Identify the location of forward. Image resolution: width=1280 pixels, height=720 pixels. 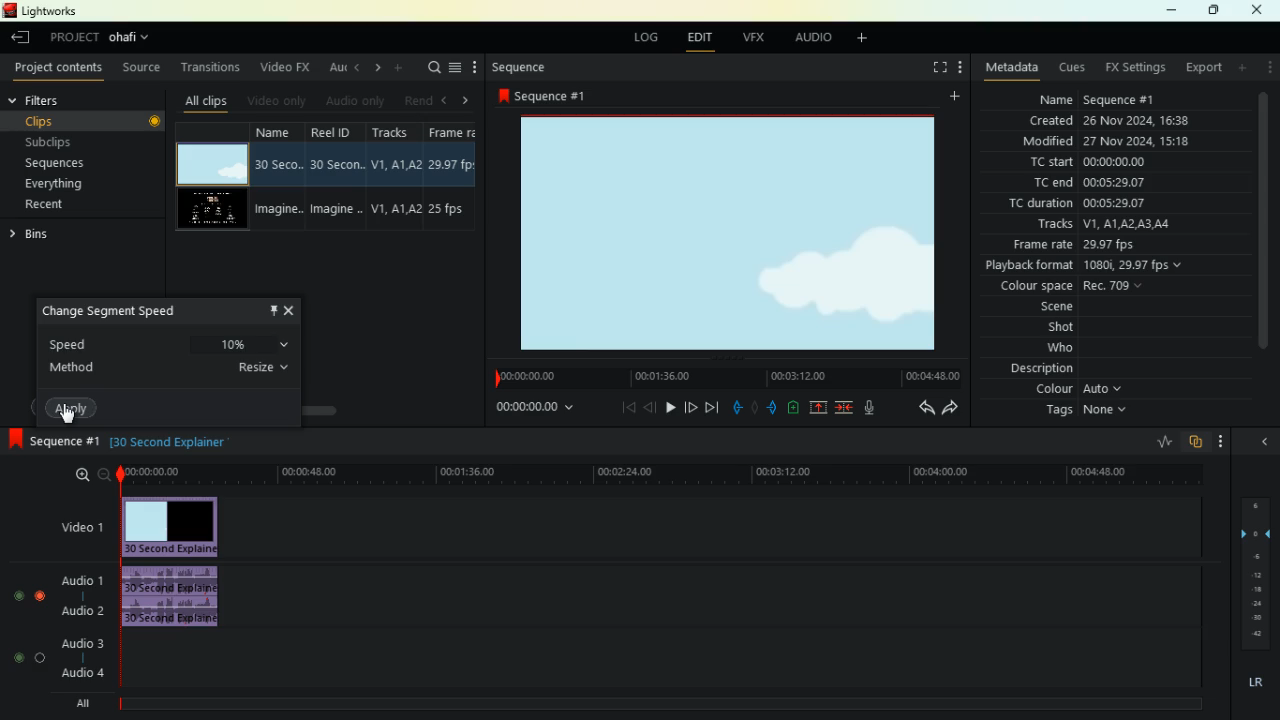
(954, 407).